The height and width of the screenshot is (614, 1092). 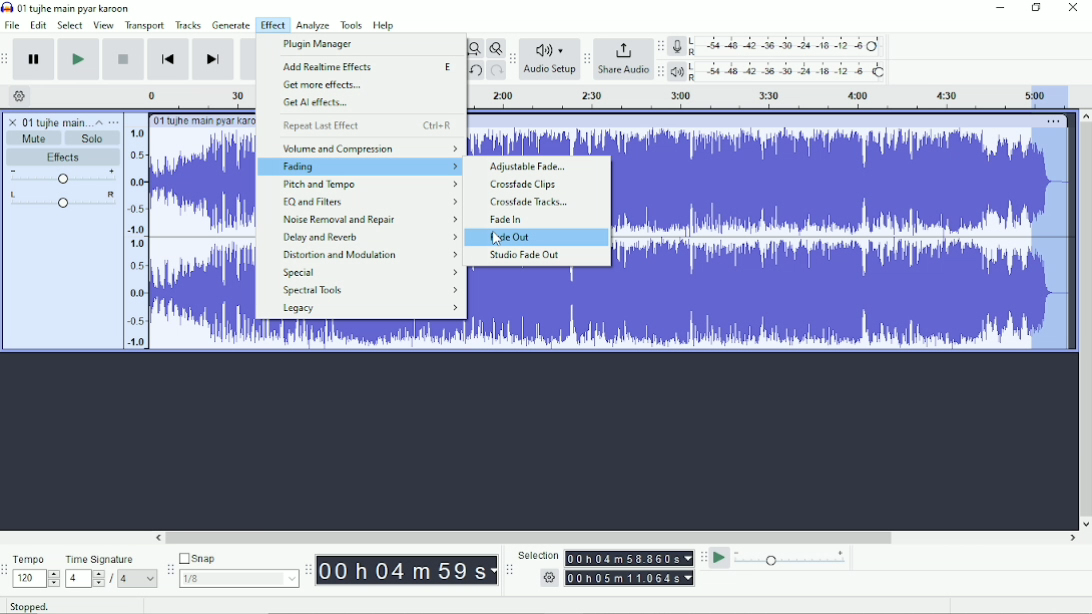 I want to click on Transport, so click(x=144, y=27).